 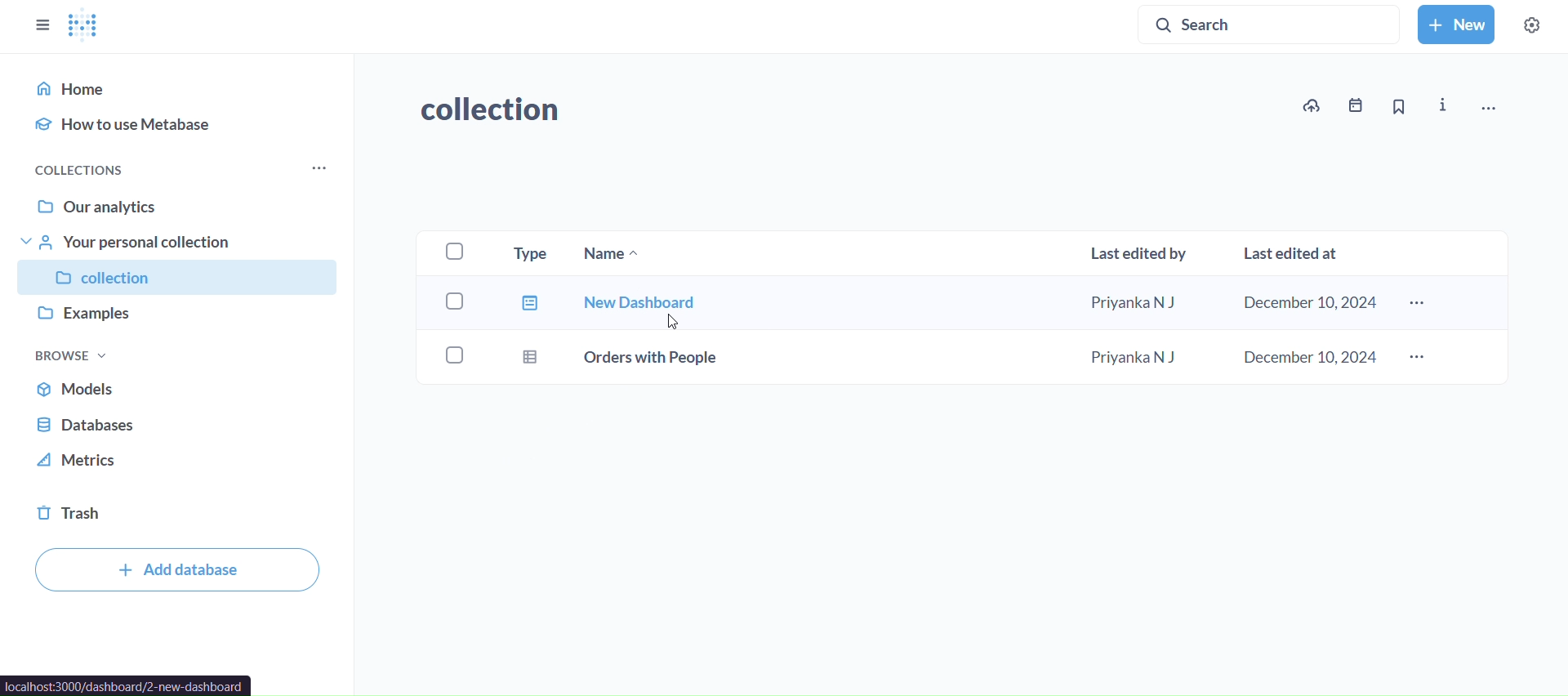 What do you see at coordinates (674, 322) in the screenshot?
I see `Cursor` at bounding box center [674, 322].